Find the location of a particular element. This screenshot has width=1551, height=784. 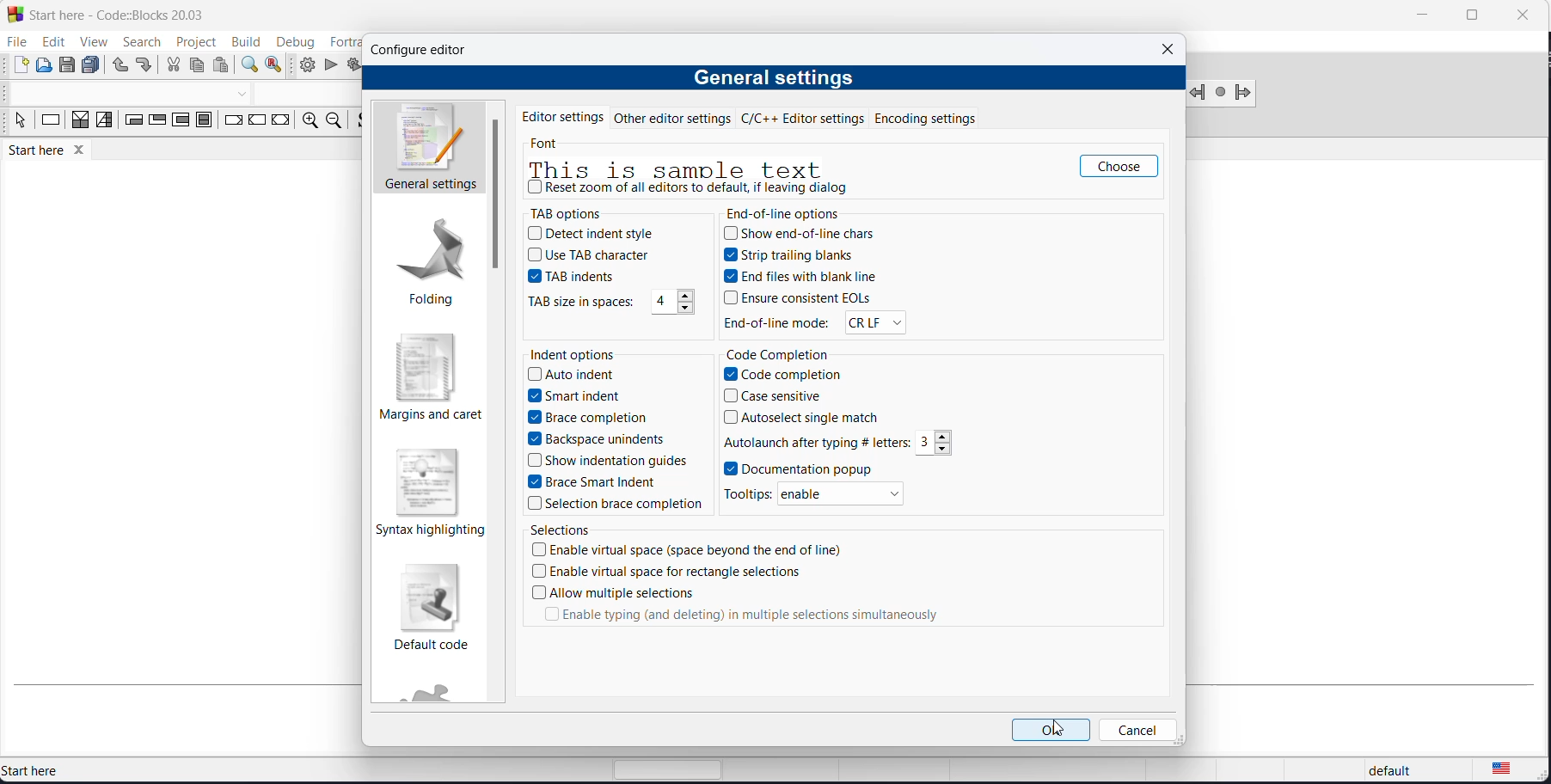

show end of line chars checkbox is located at coordinates (807, 236).